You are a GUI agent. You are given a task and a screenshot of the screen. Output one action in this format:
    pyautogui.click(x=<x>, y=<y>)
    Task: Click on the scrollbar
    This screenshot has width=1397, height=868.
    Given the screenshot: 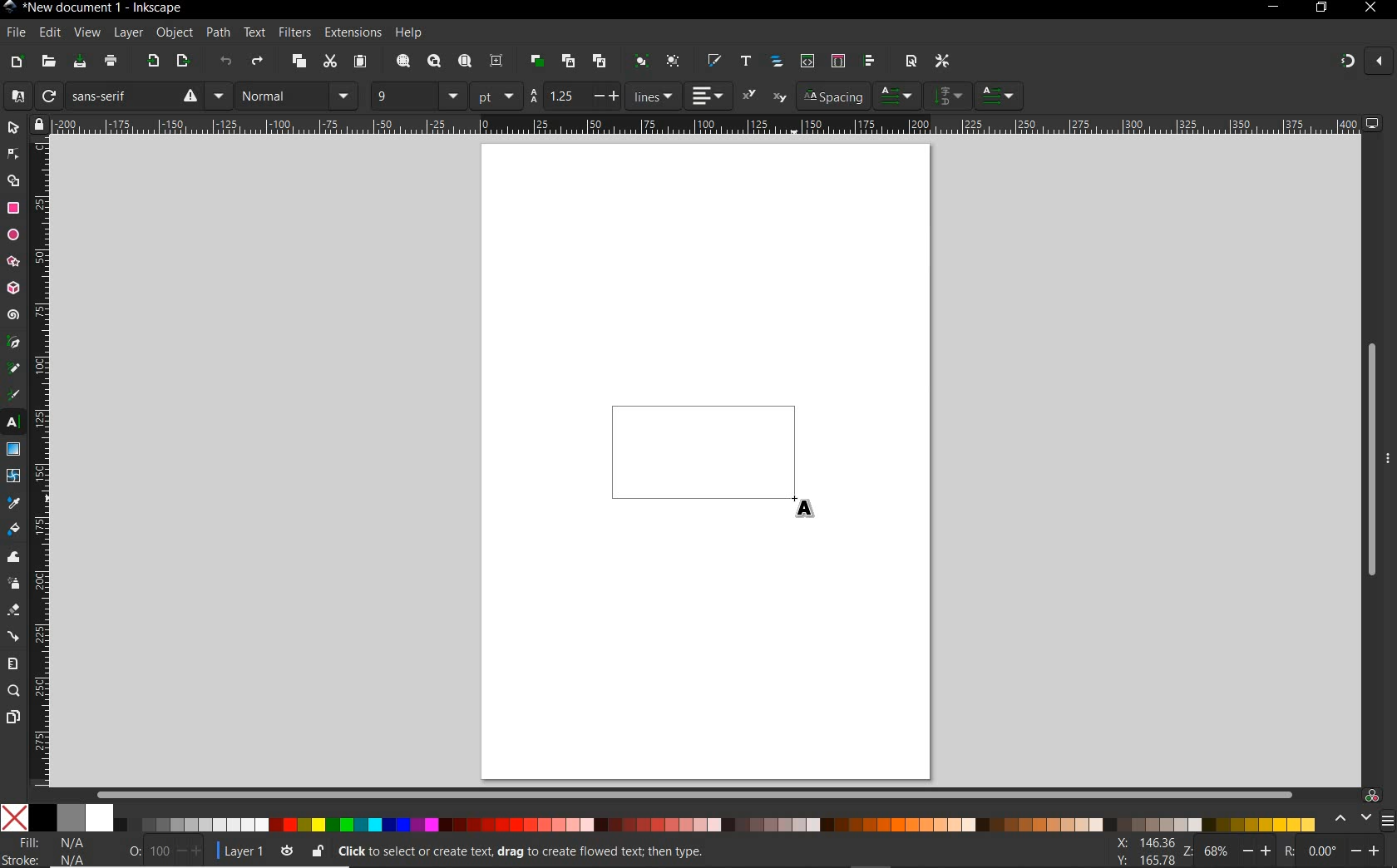 What is the action you would take?
    pyautogui.click(x=1370, y=461)
    